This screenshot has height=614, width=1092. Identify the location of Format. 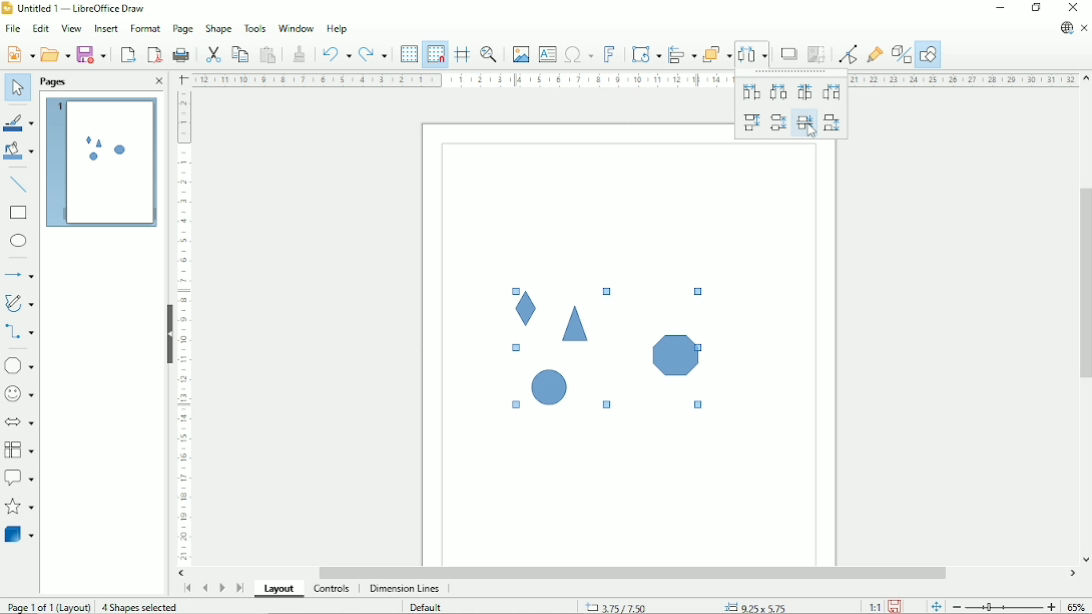
(144, 29).